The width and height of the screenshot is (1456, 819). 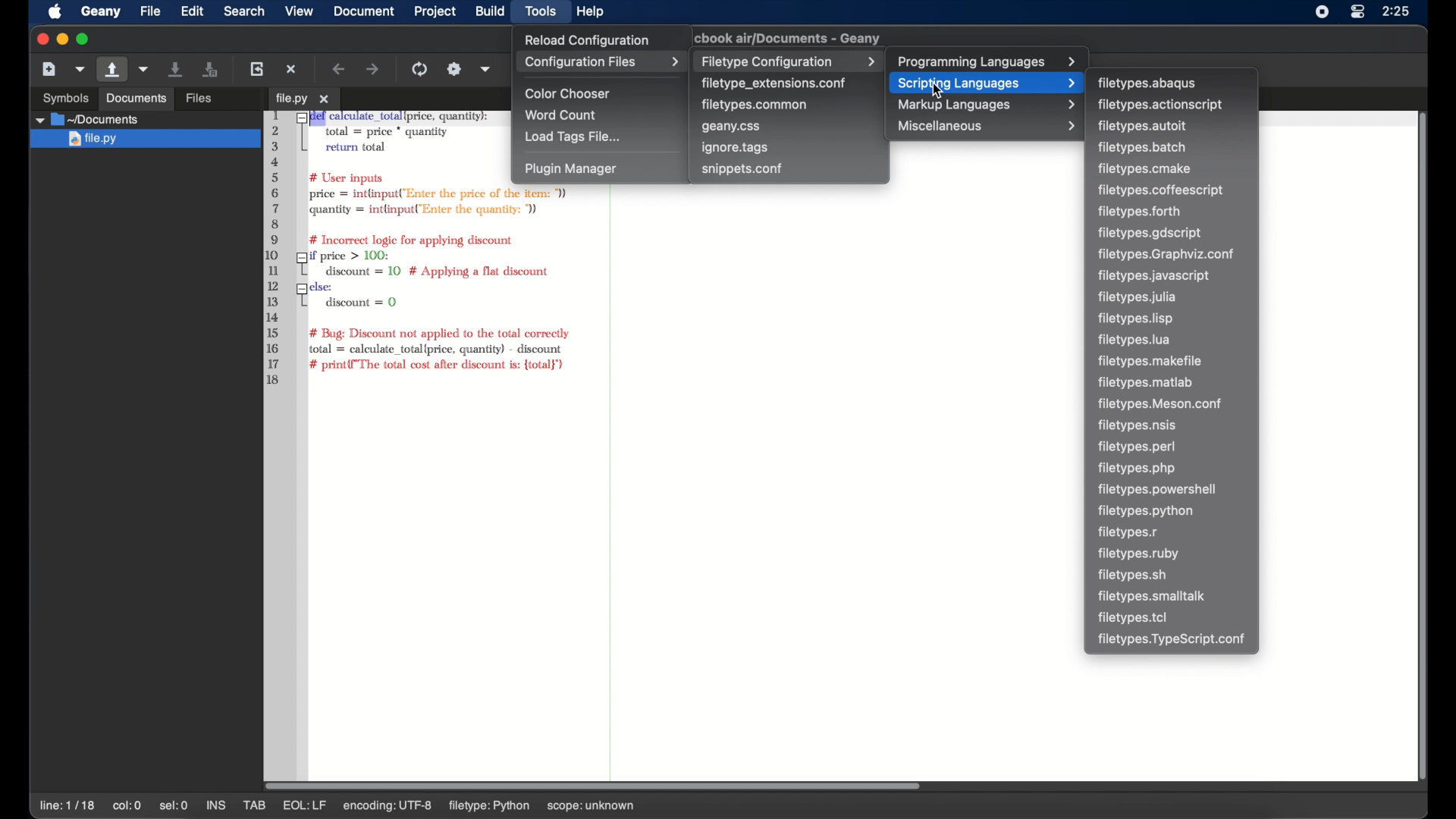 What do you see at coordinates (81, 69) in the screenshot?
I see `create file from template` at bounding box center [81, 69].